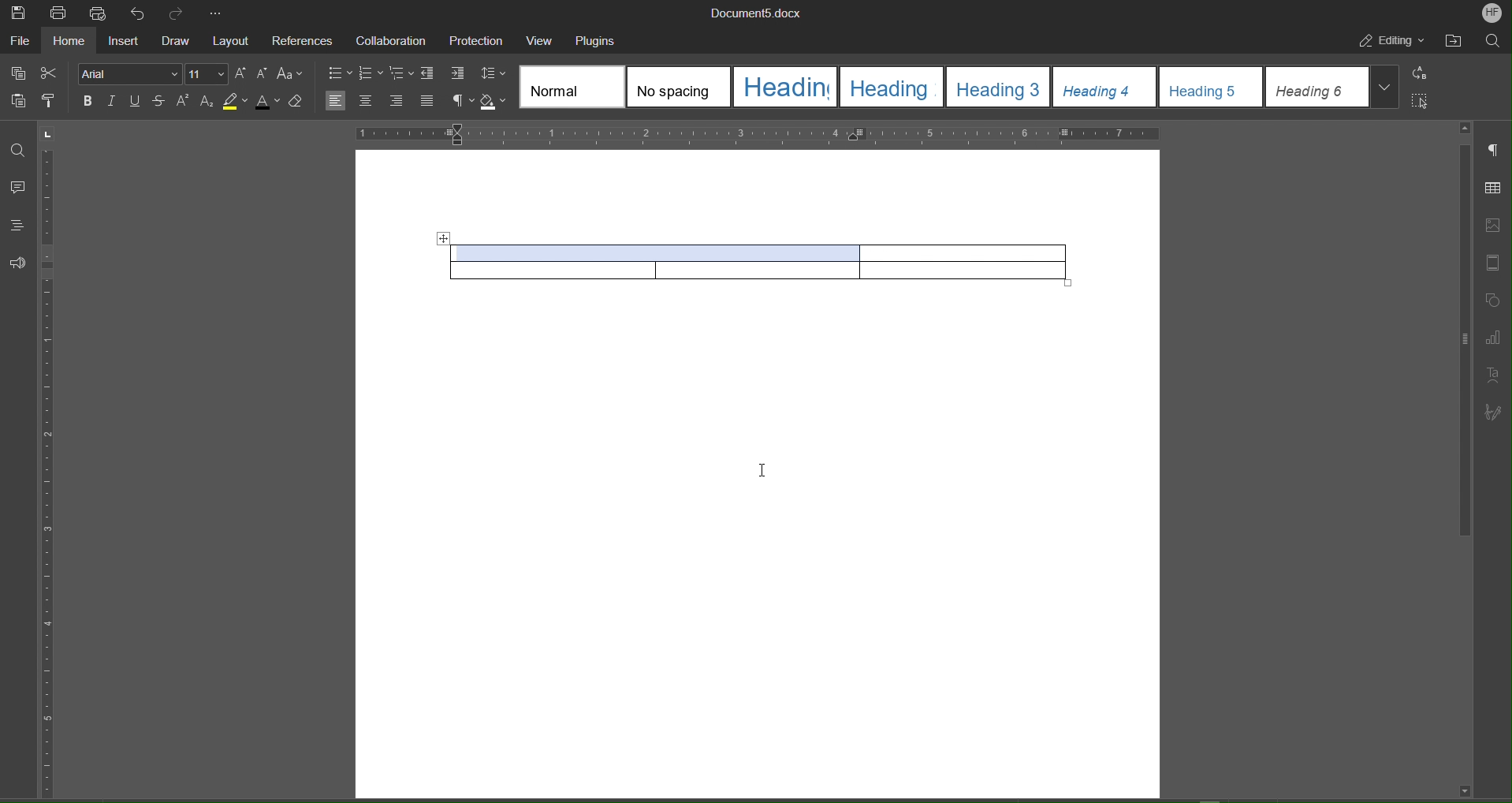 The height and width of the screenshot is (803, 1512). I want to click on Shadow, so click(496, 102).